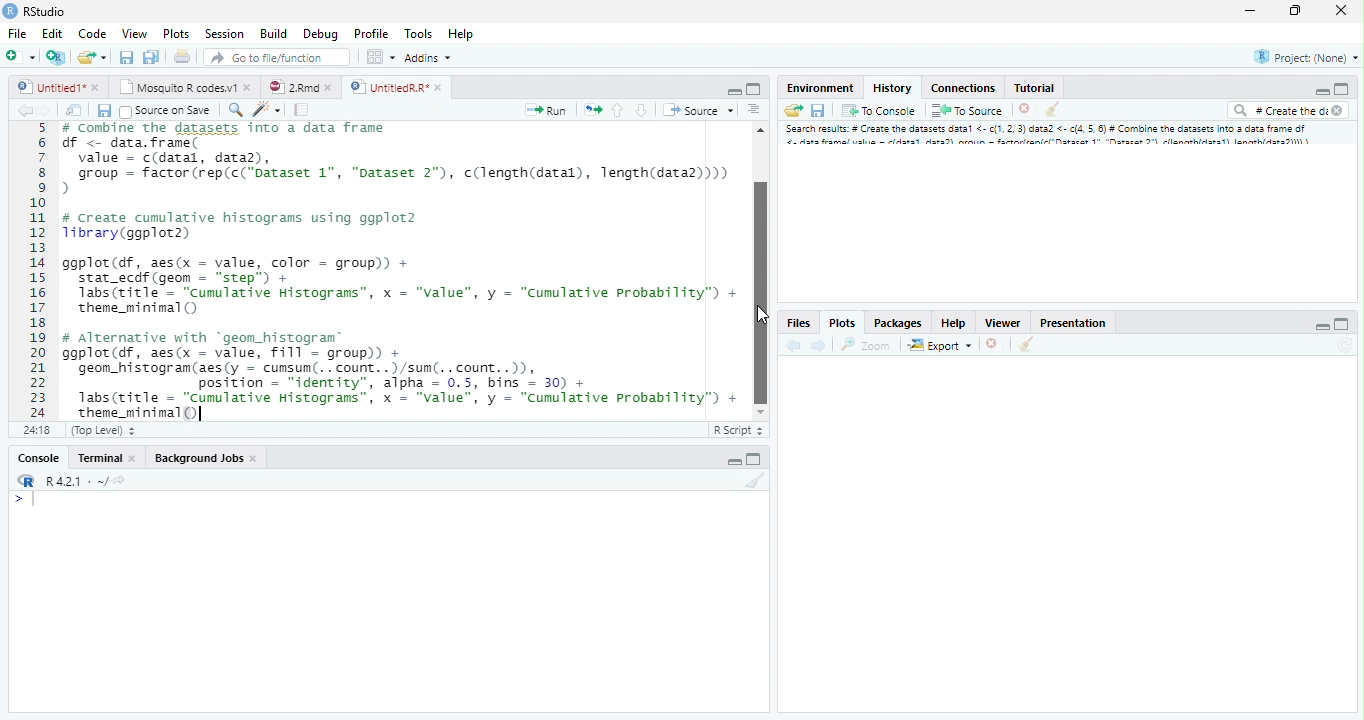 Image resolution: width=1364 pixels, height=720 pixels. Describe the element at coordinates (1055, 111) in the screenshot. I see `Clear console` at that location.